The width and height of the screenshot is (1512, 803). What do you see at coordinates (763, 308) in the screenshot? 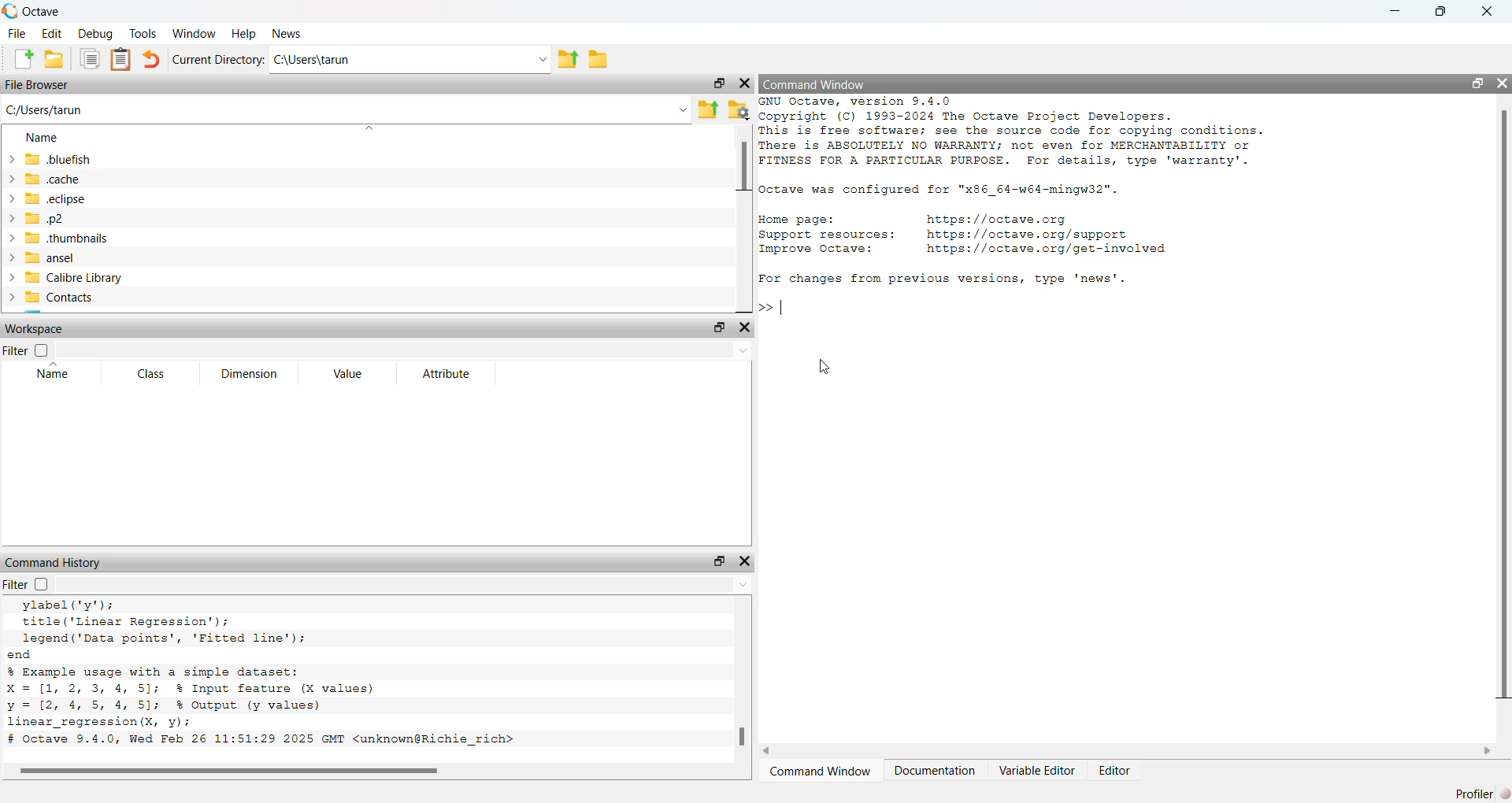
I see `prompt cursor` at bounding box center [763, 308].